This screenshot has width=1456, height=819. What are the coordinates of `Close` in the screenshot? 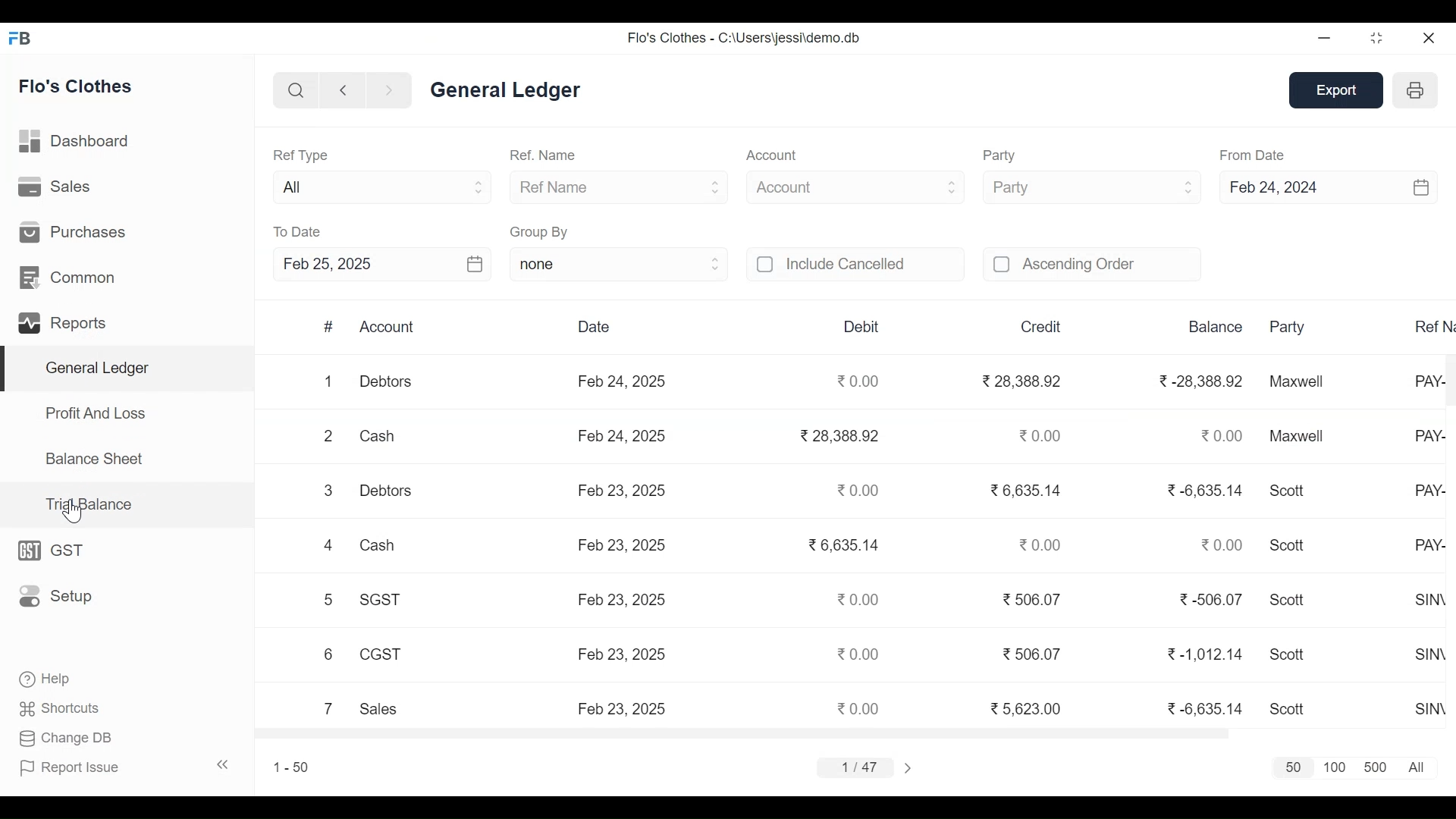 It's located at (1427, 37).